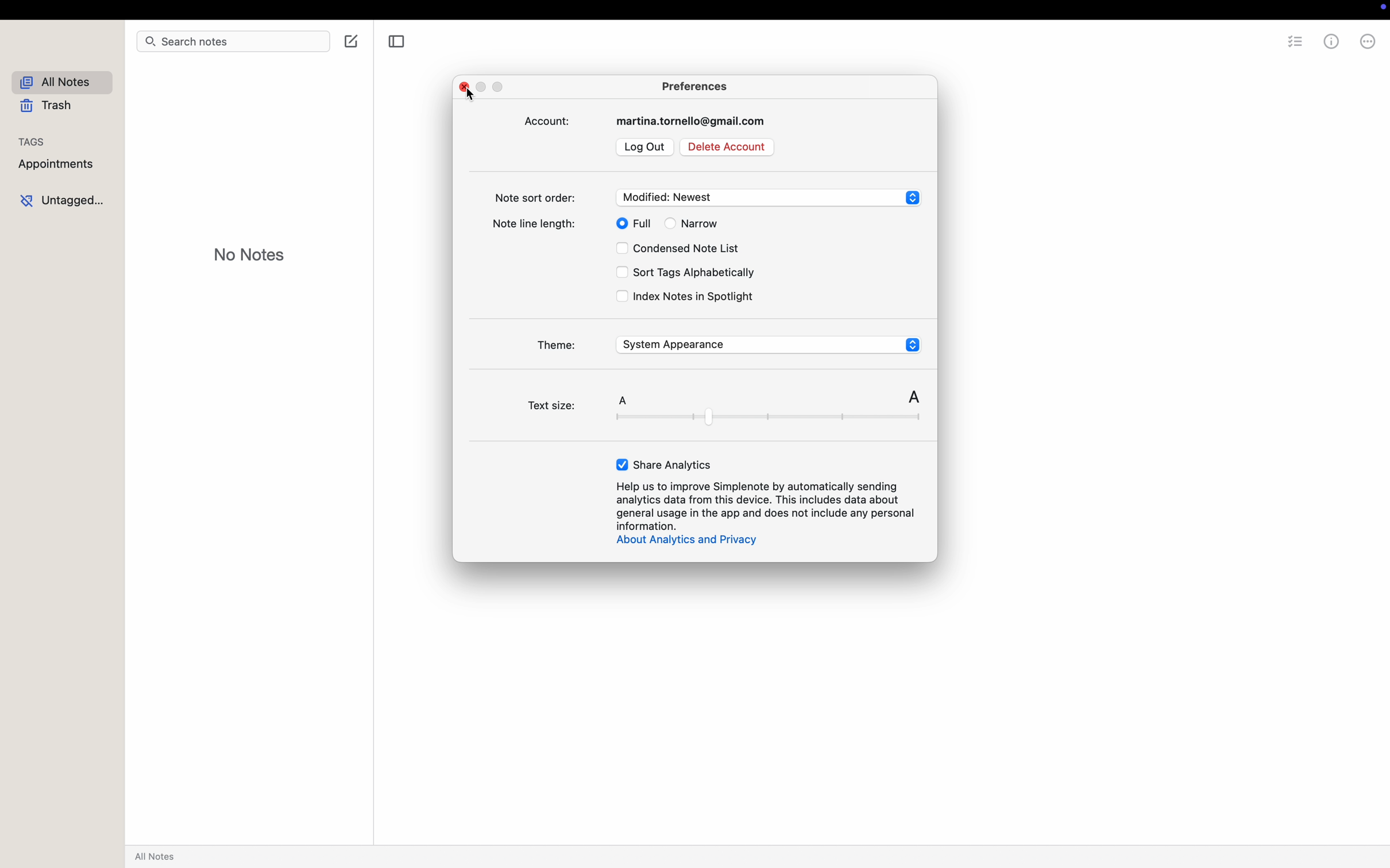  What do you see at coordinates (61, 82) in the screenshot?
I see `all notes` at bounding box center [61, 82].